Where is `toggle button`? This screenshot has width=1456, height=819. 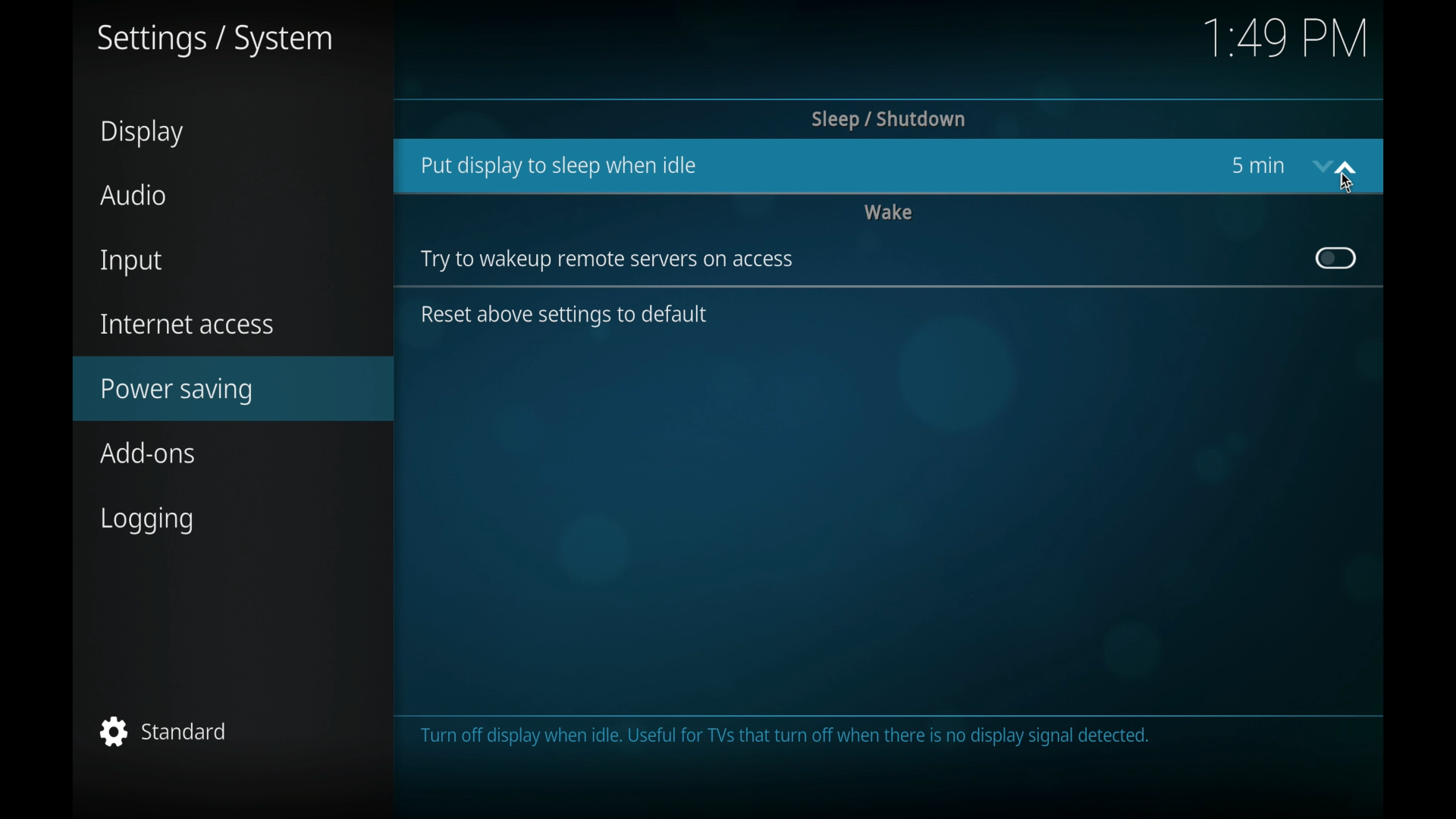
toggle button is located at coordinates (1334, 258).